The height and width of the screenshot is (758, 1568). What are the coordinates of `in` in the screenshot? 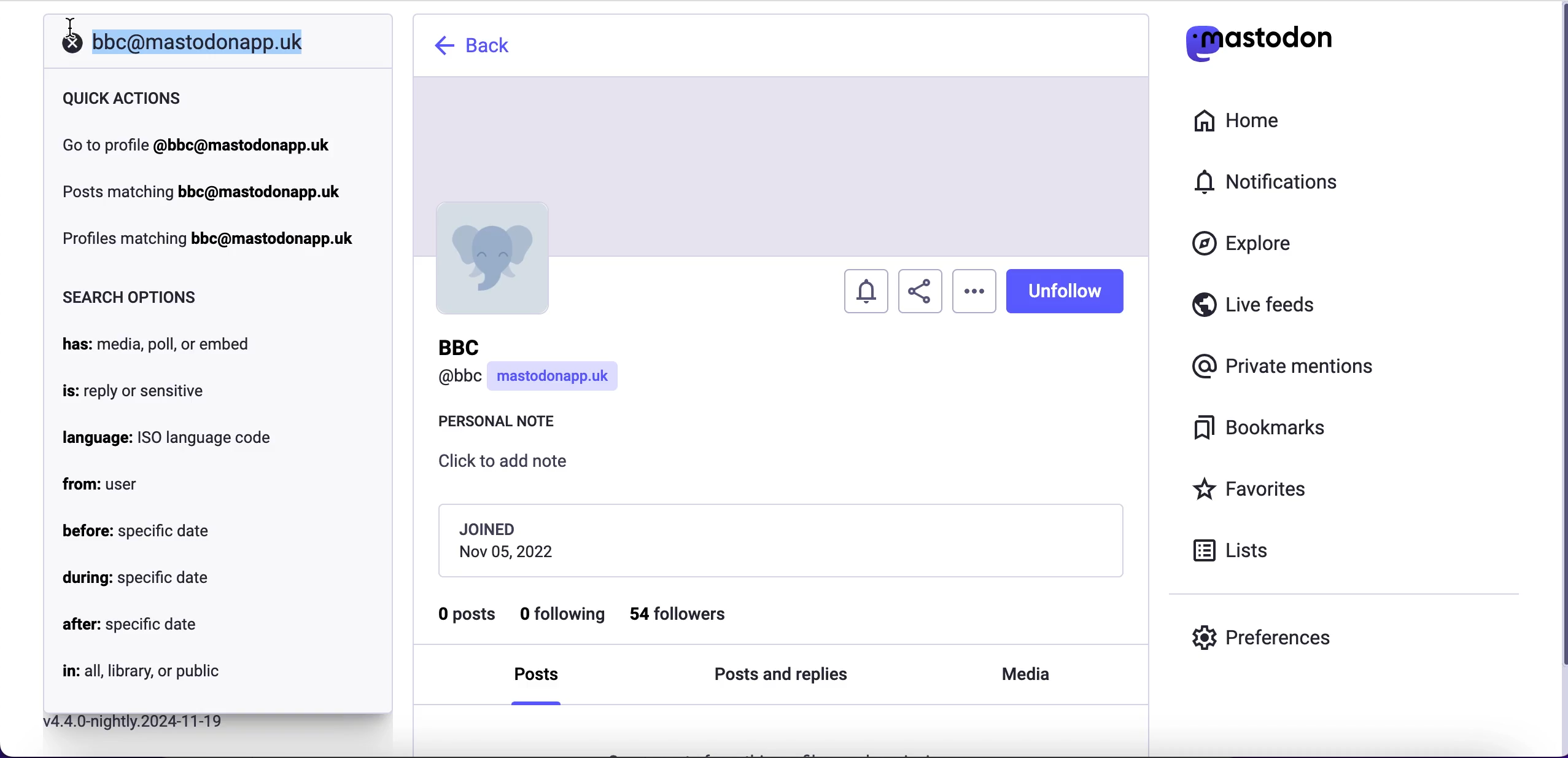 It's located at (139, 673).